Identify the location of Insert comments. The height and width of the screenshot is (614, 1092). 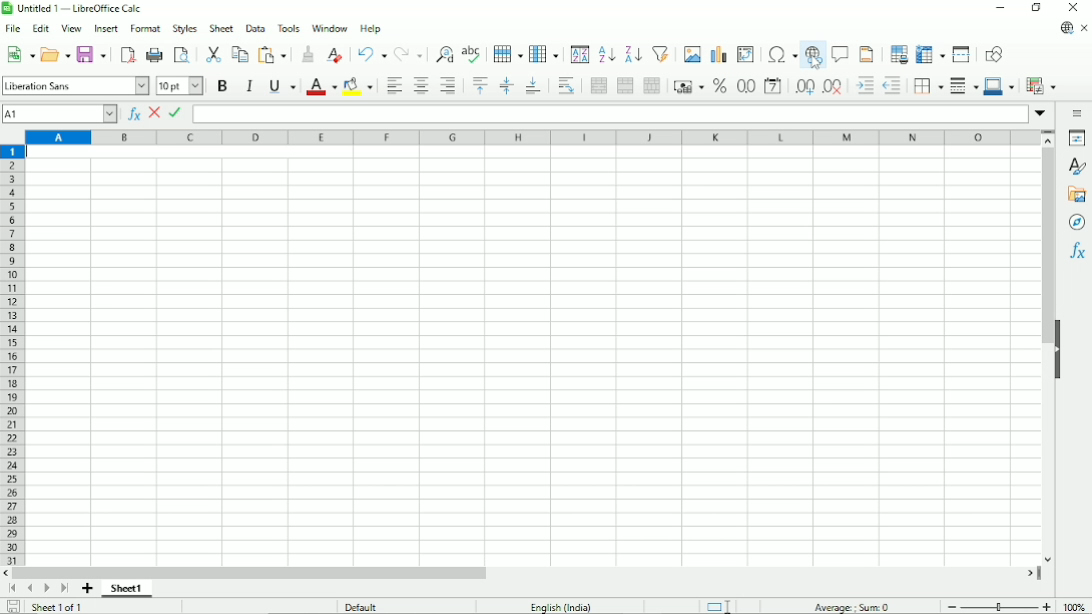
(840, 53).